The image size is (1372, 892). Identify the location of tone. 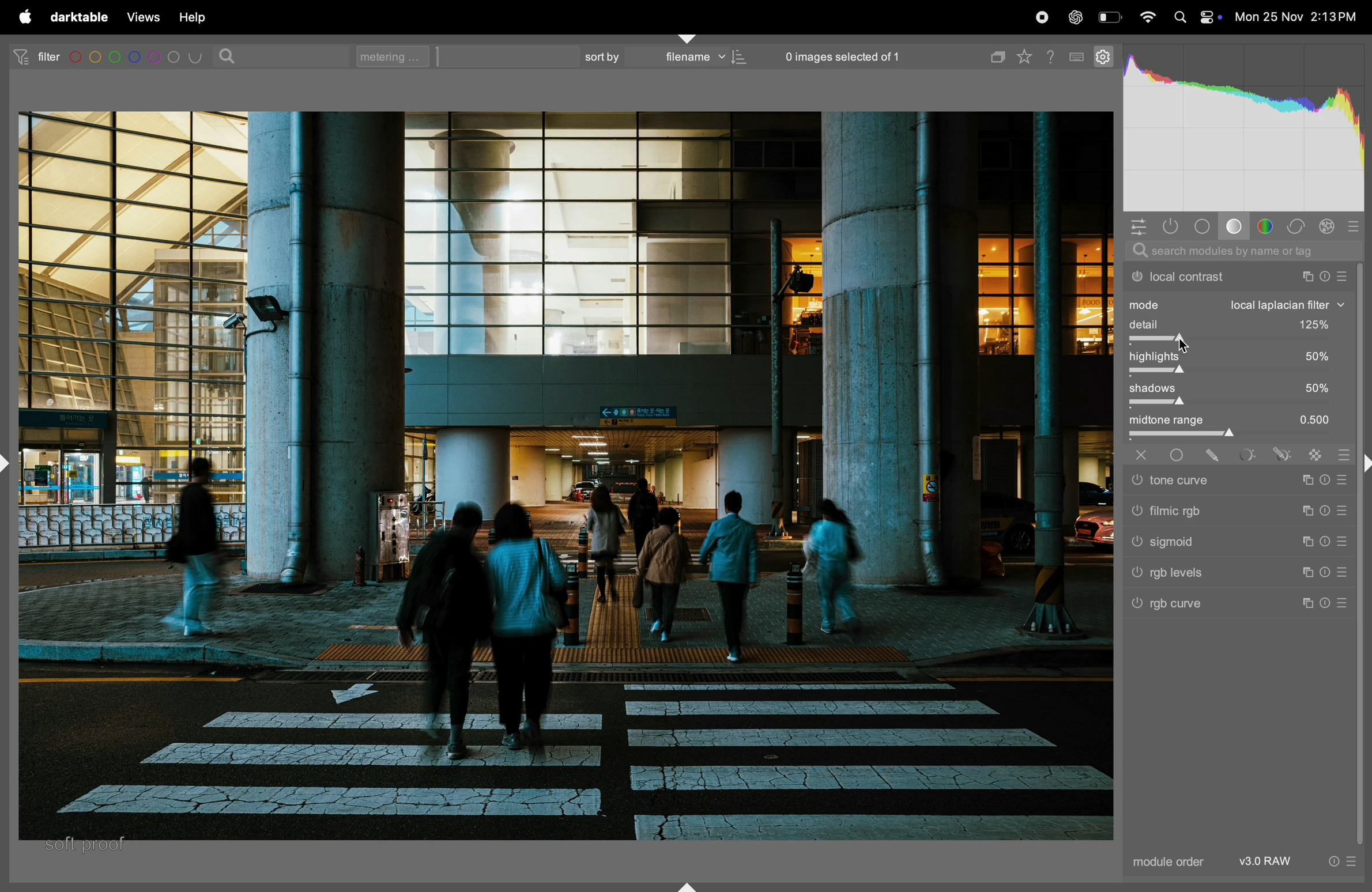
(1204, 225).